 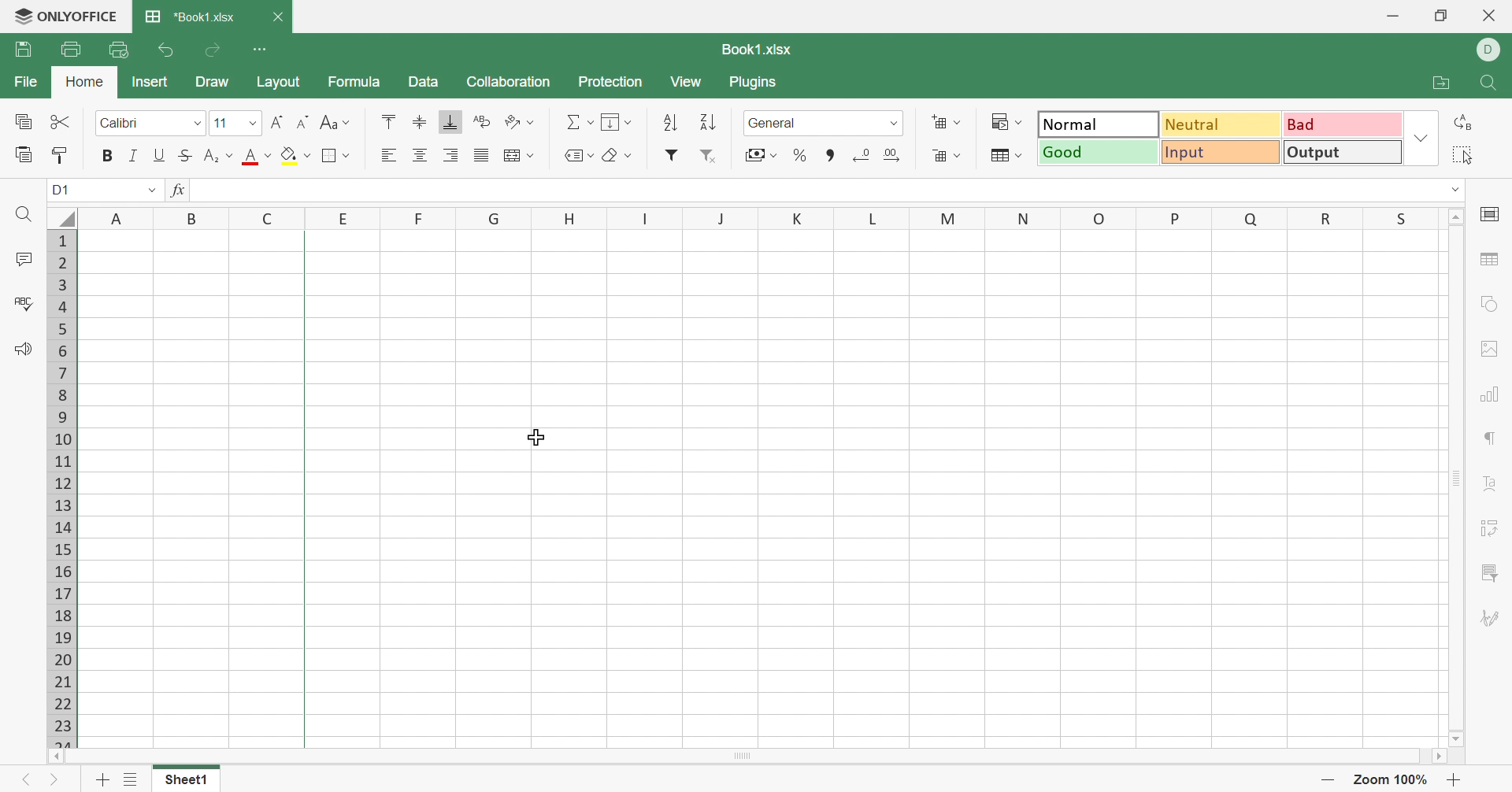 I want to click on Increment font size, so click(x=277, y=120).